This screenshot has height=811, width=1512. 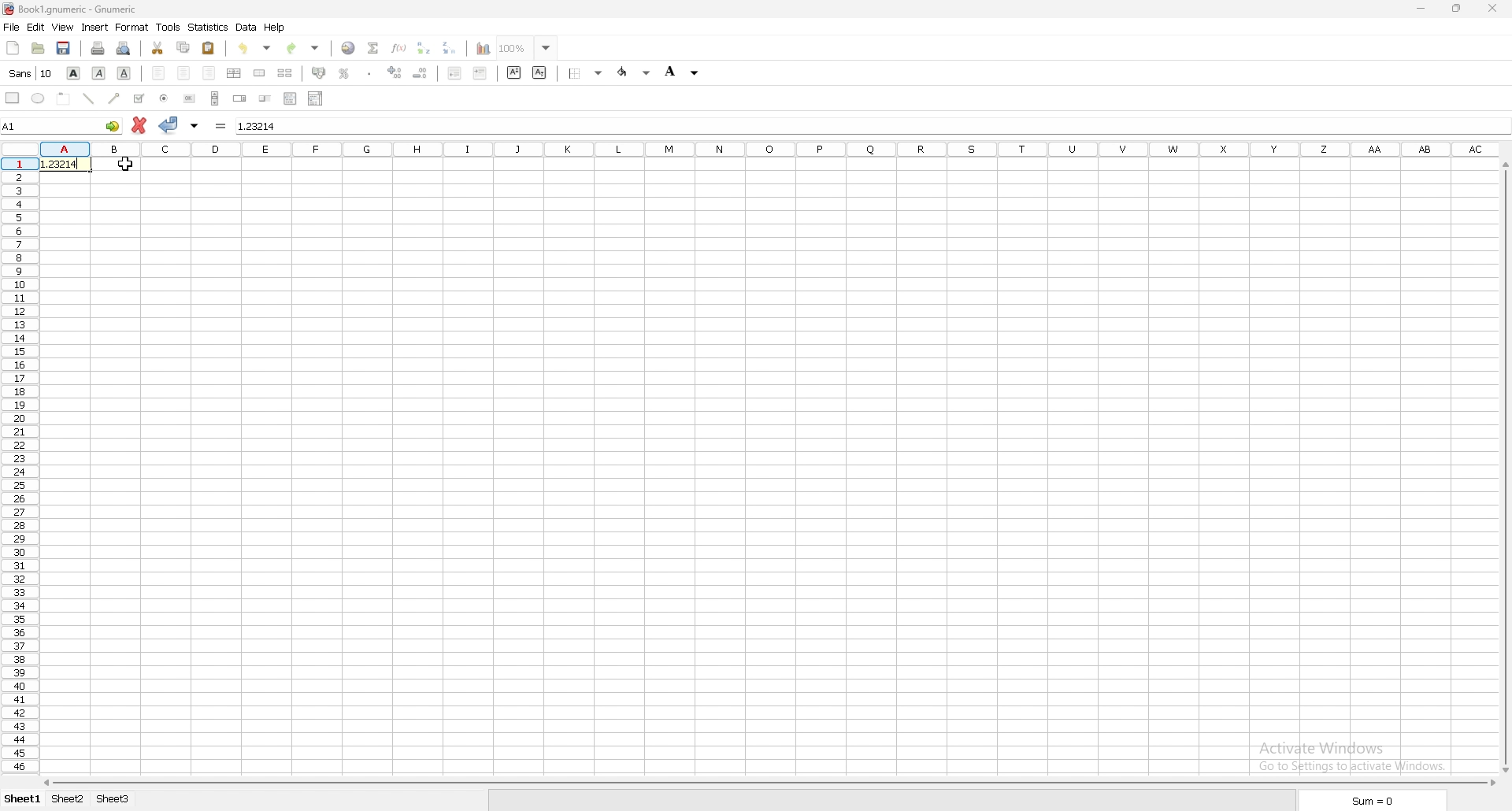 What do you see at coordinates (169, 125) in the screenshot?
I see `accept changes` at bounding box center [169, 125].